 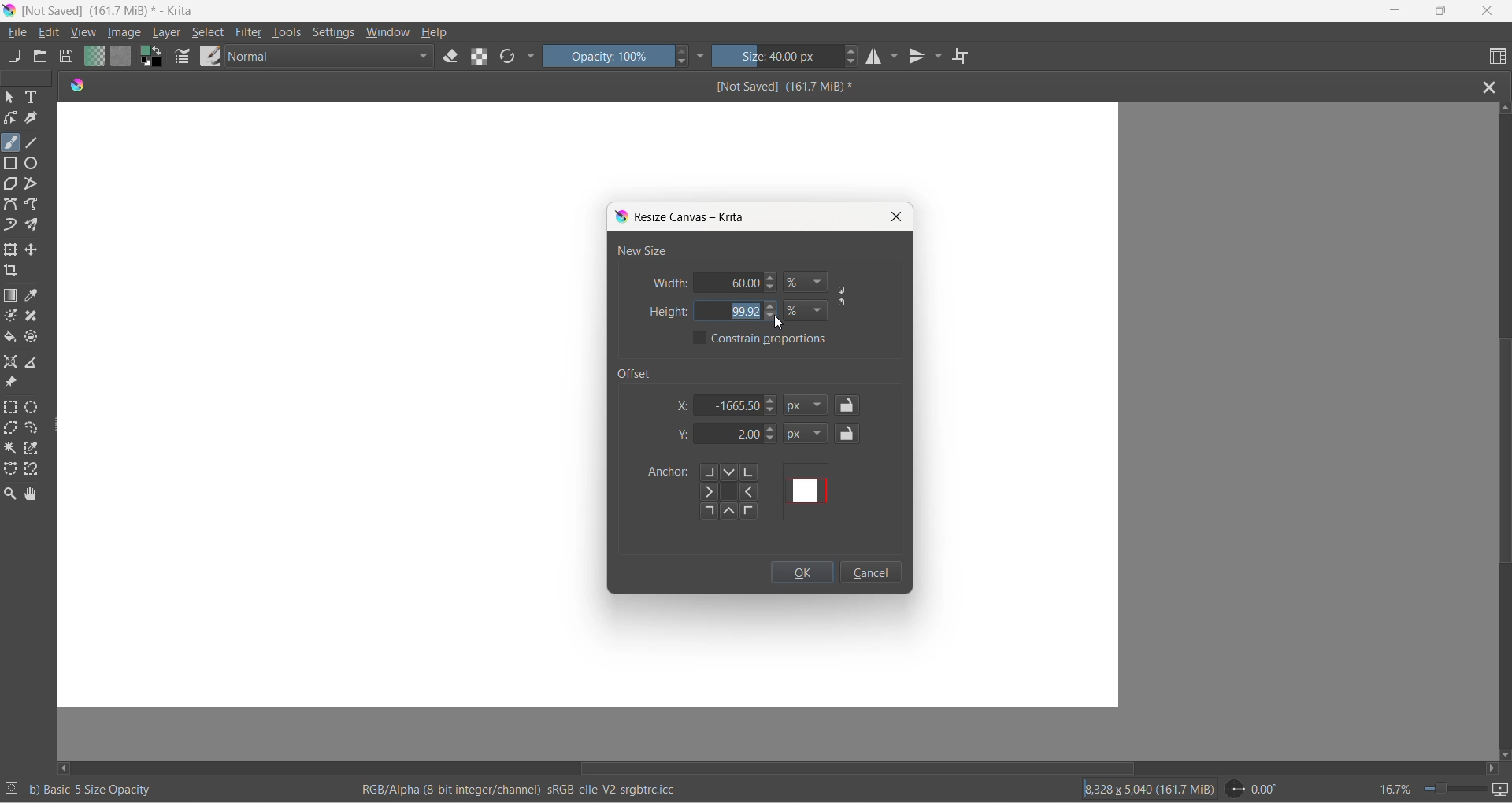 What do you see at coordinates (183, 60) in the screenshot?
I see `brush settings` at bounding box center [183, 60].